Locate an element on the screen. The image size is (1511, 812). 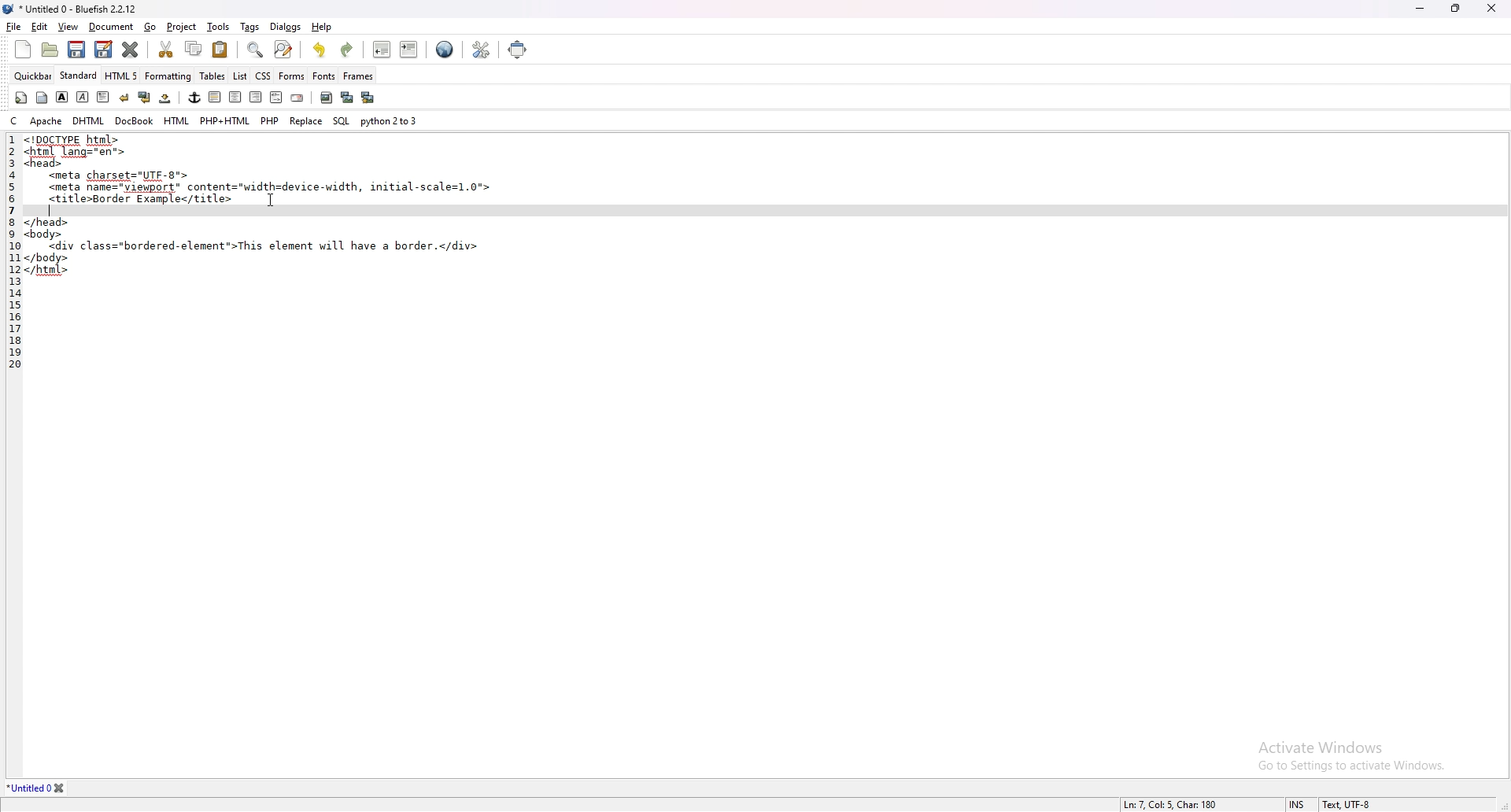
Cursor is located at coordinates (271, 201).